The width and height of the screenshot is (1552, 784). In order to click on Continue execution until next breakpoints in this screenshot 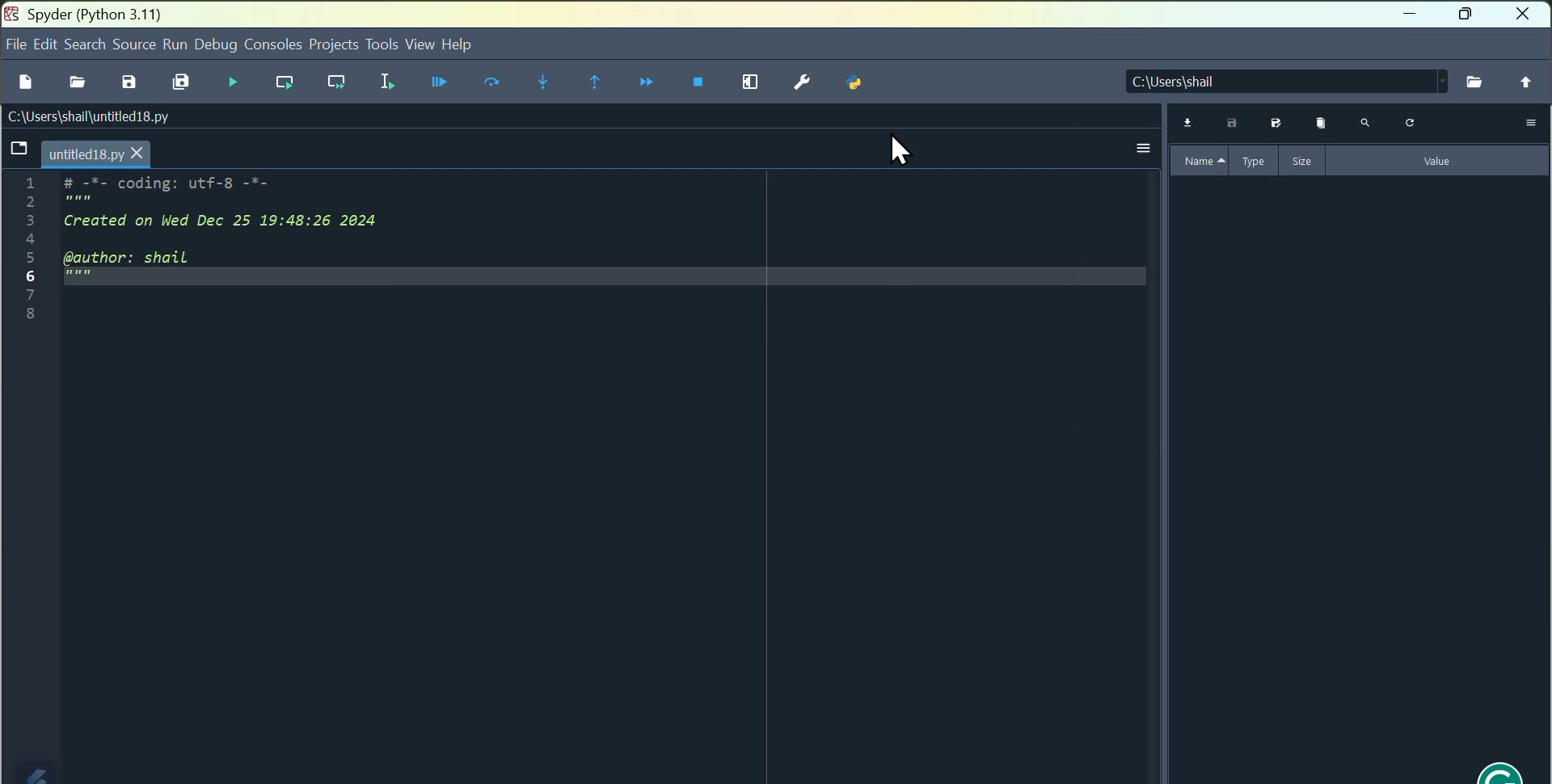, I will do `click(647, 86)`.